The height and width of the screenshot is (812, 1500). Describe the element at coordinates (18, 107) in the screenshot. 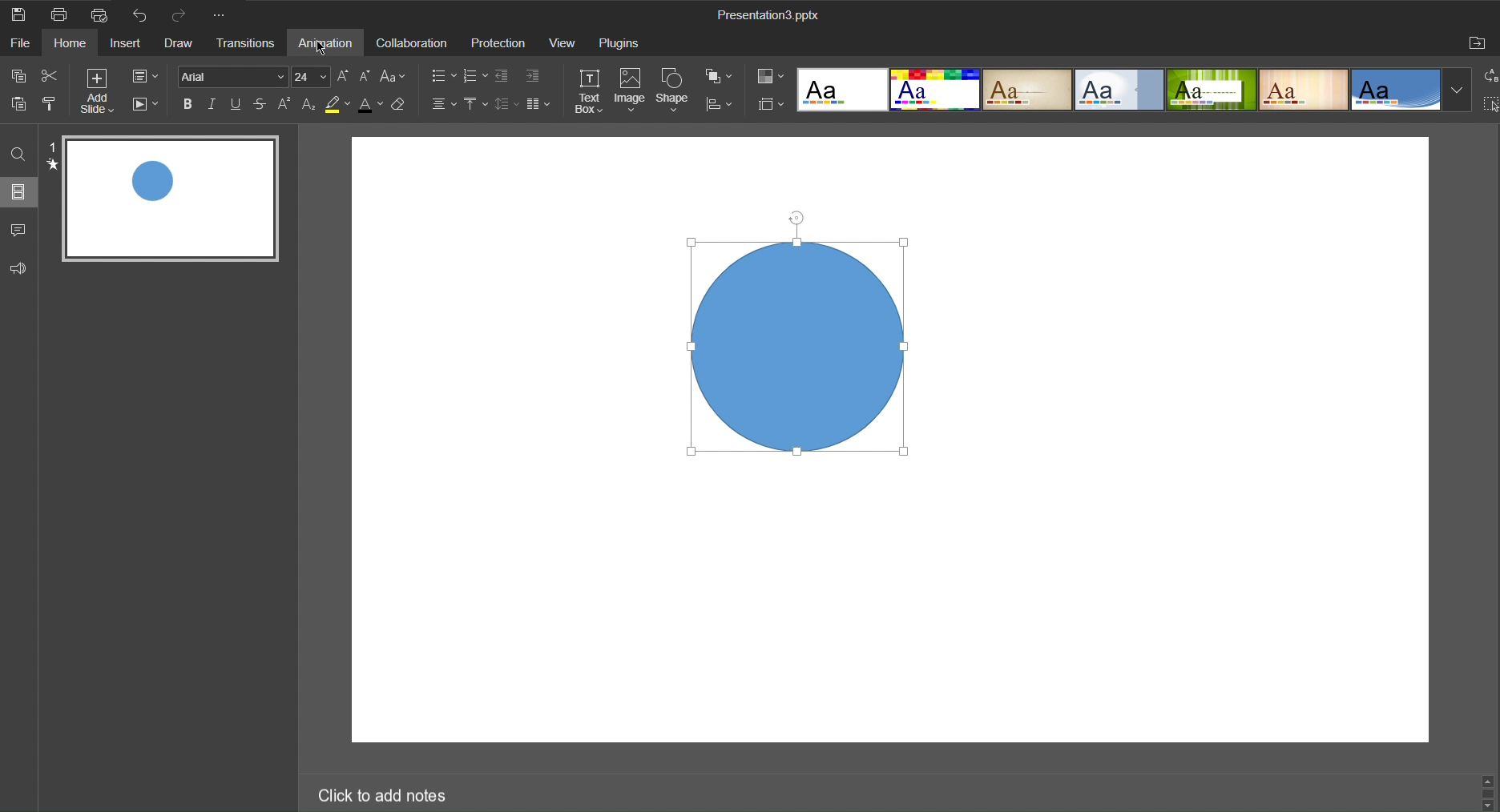

I see `Paste` at that location.